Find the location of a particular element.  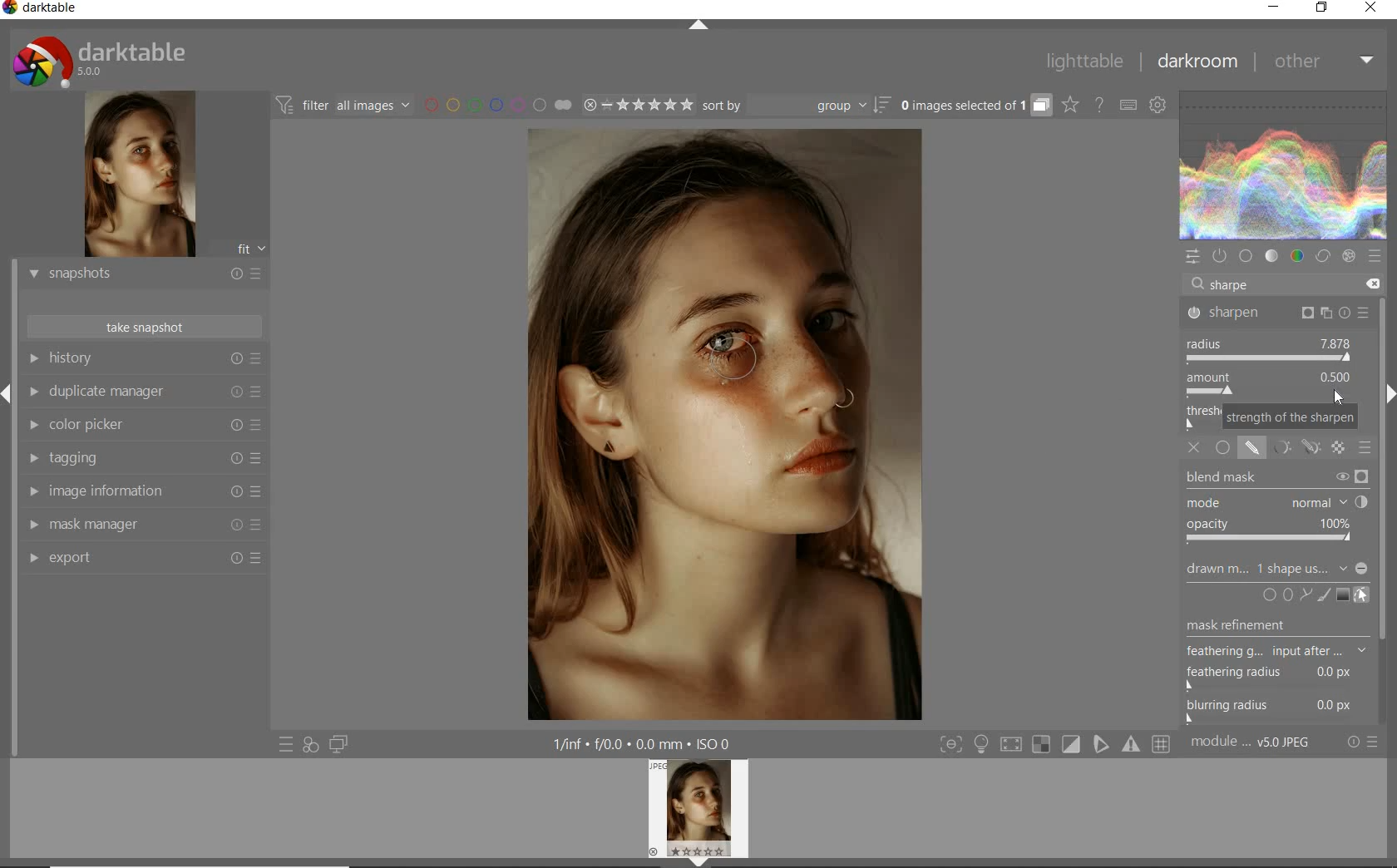

display a second darkroom image below is located at coordinates (336, 745).